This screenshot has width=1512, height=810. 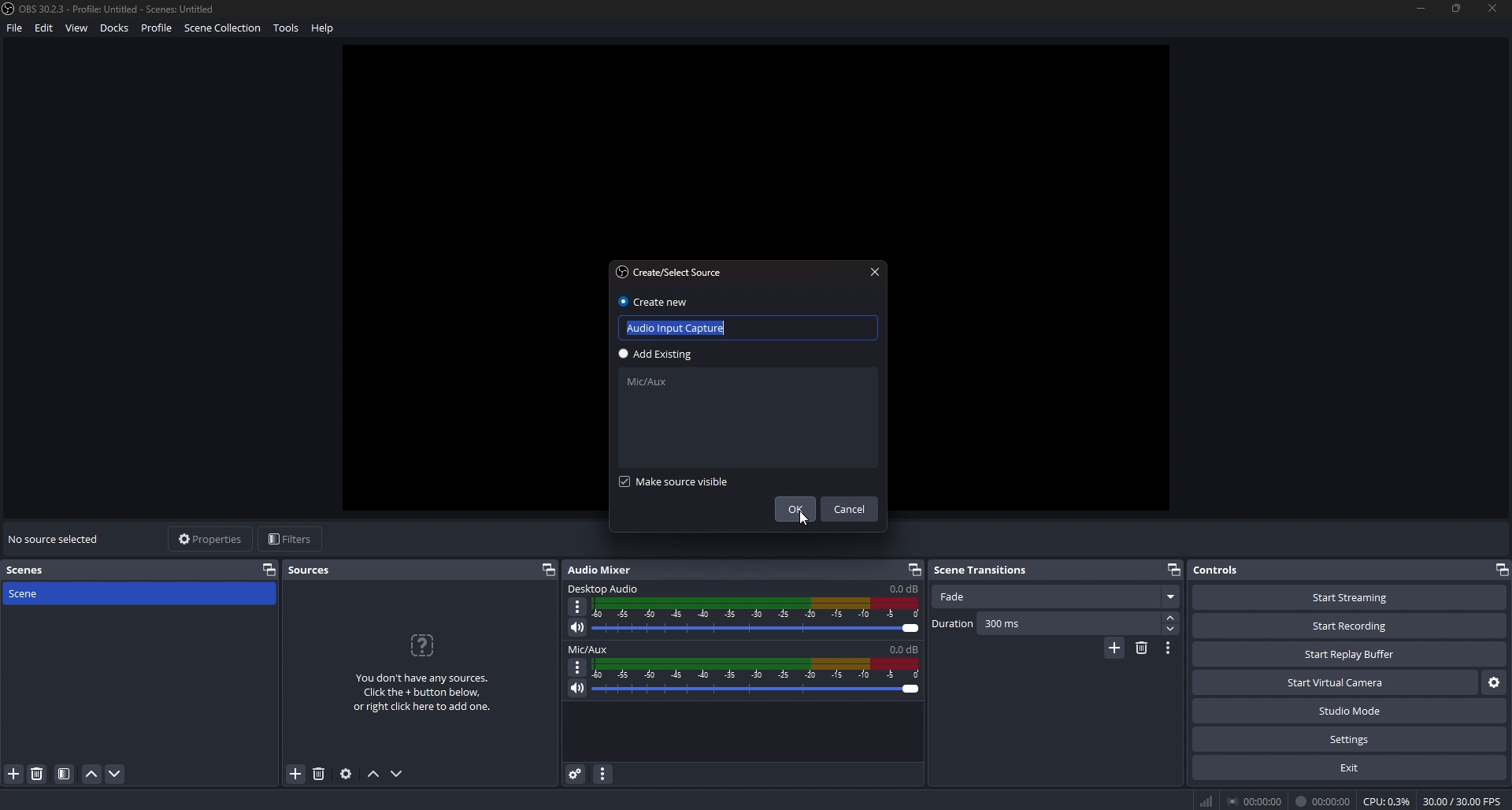 What do you see at coordinates (224, 30) in the screenshot?
I see `scene Collection` at bounding box center [224, 30].